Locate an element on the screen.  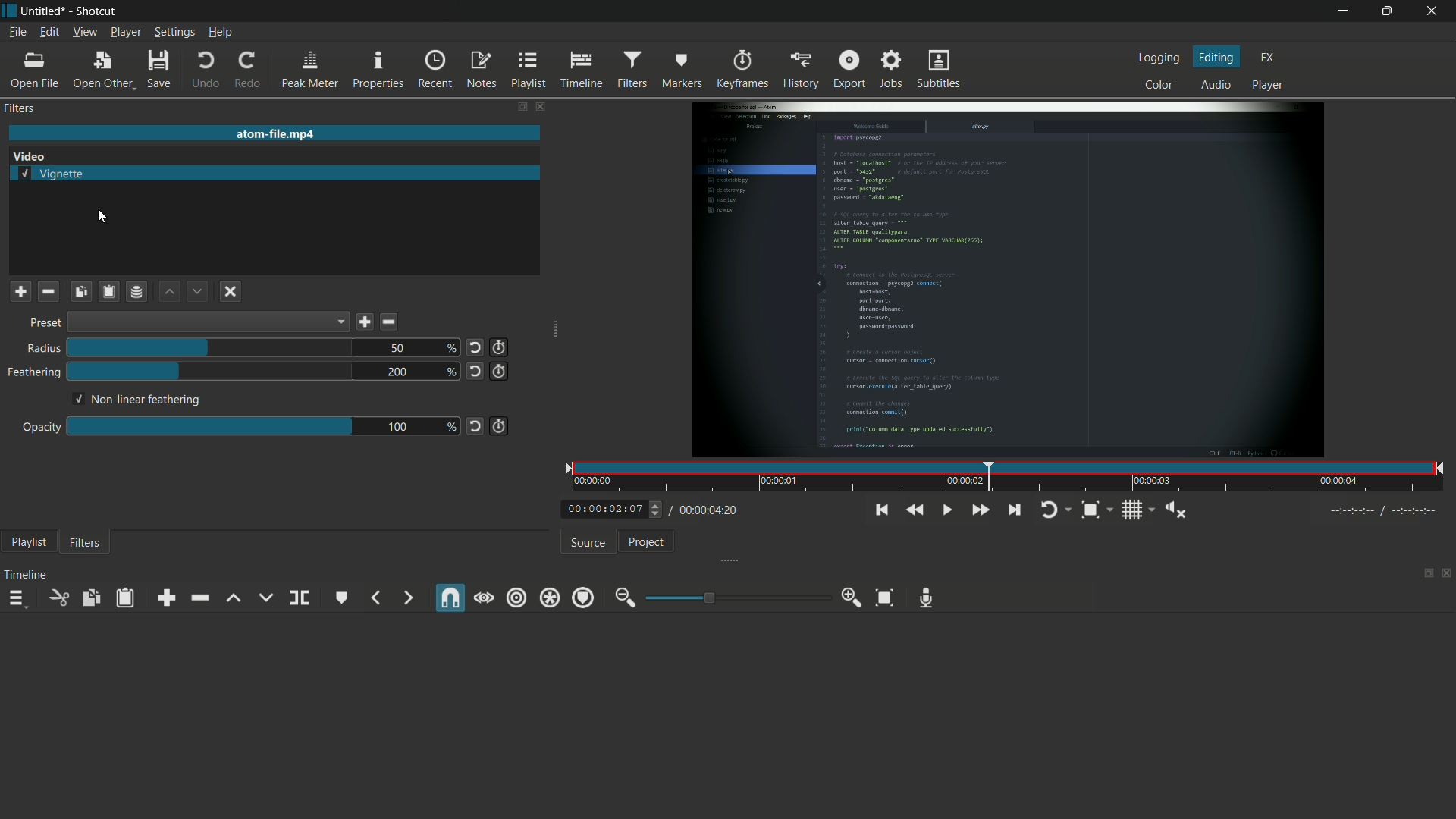
scrub while dragging is located at coordinates (484, 598).